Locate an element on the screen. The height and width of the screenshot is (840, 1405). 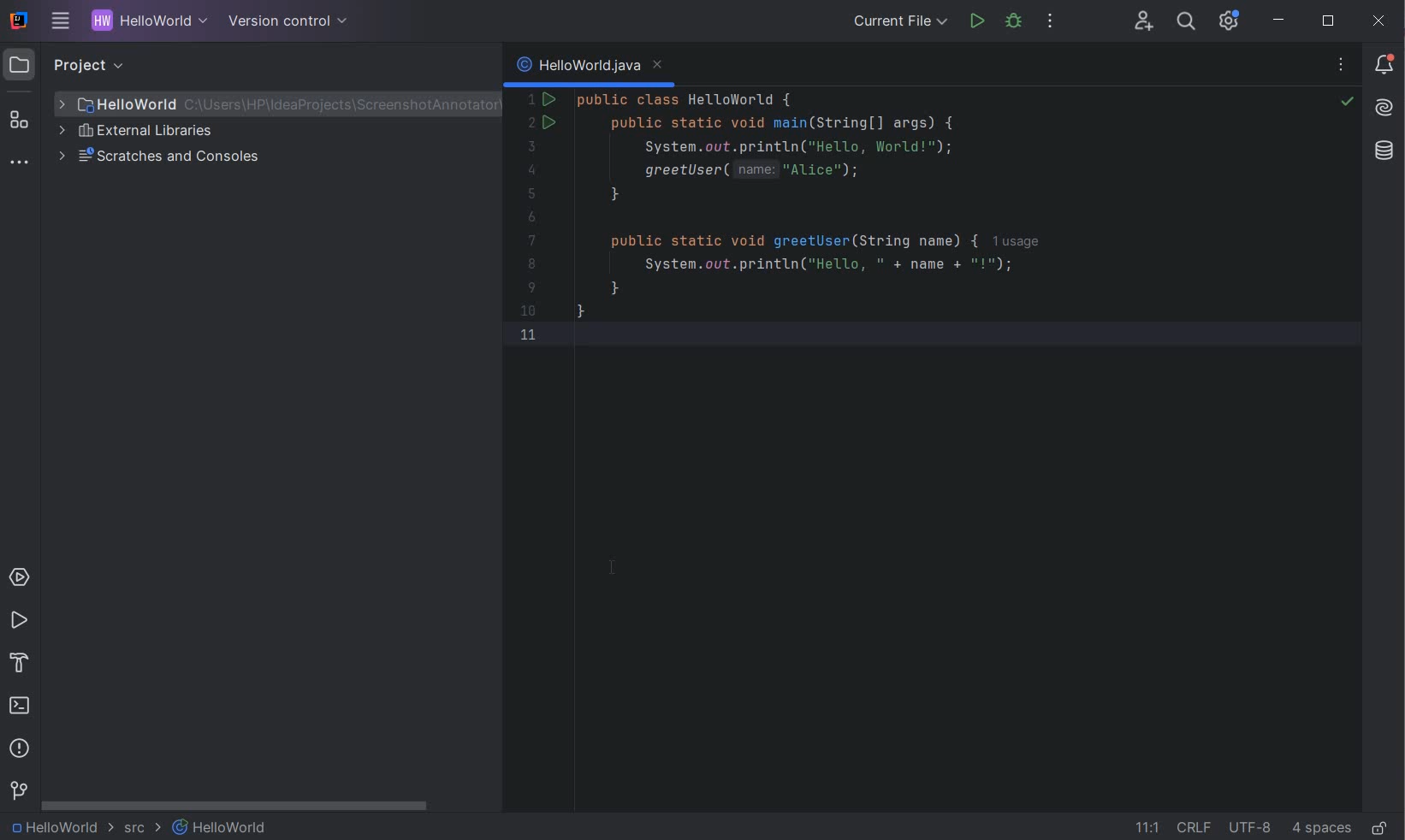
GO TO LINE is located at coordinates (1147, 825).